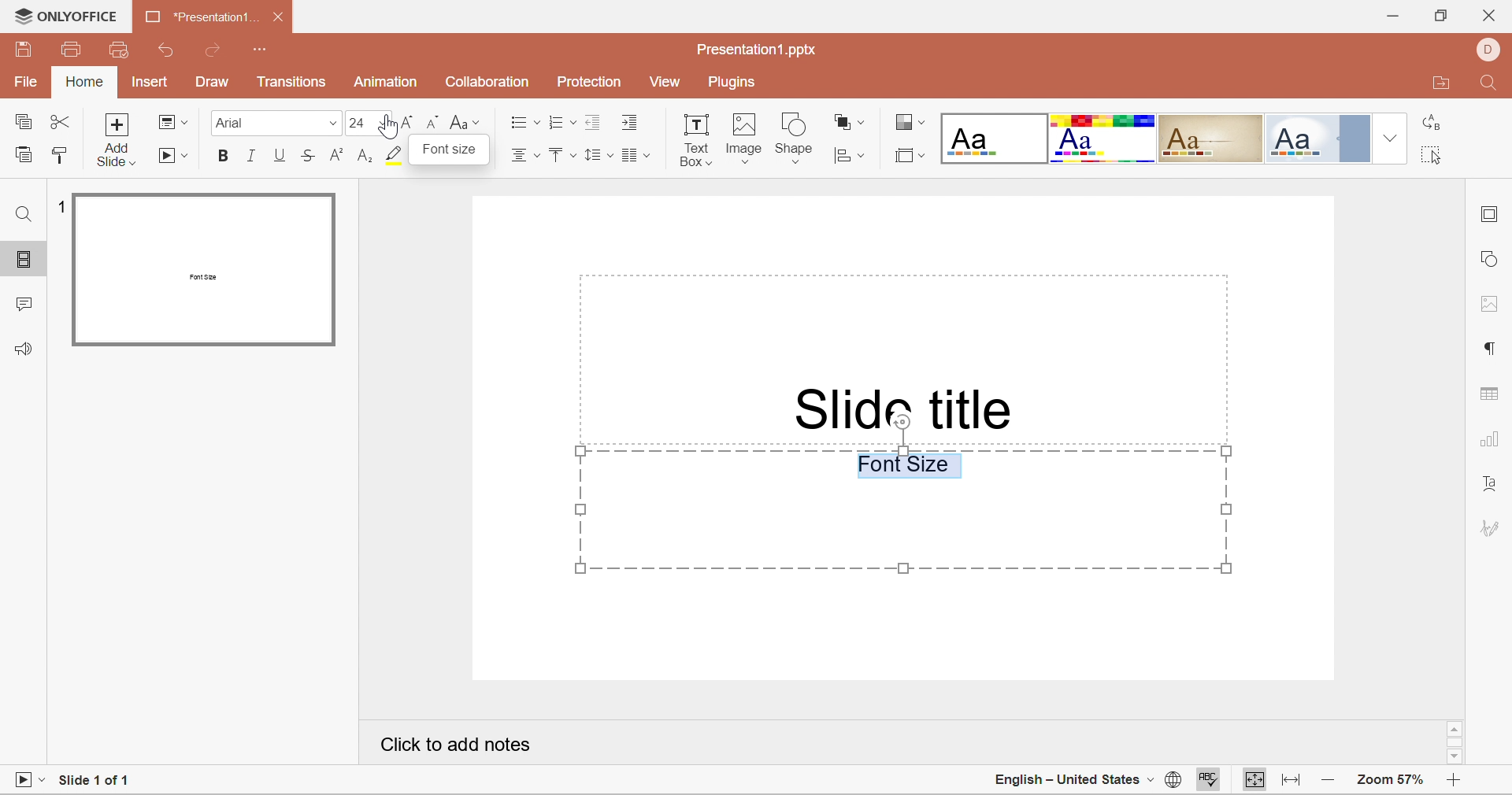  What do you see at coordinates (399, 158) in the screenshot?
I see `Highlight color` at bounding box center [399, 158].